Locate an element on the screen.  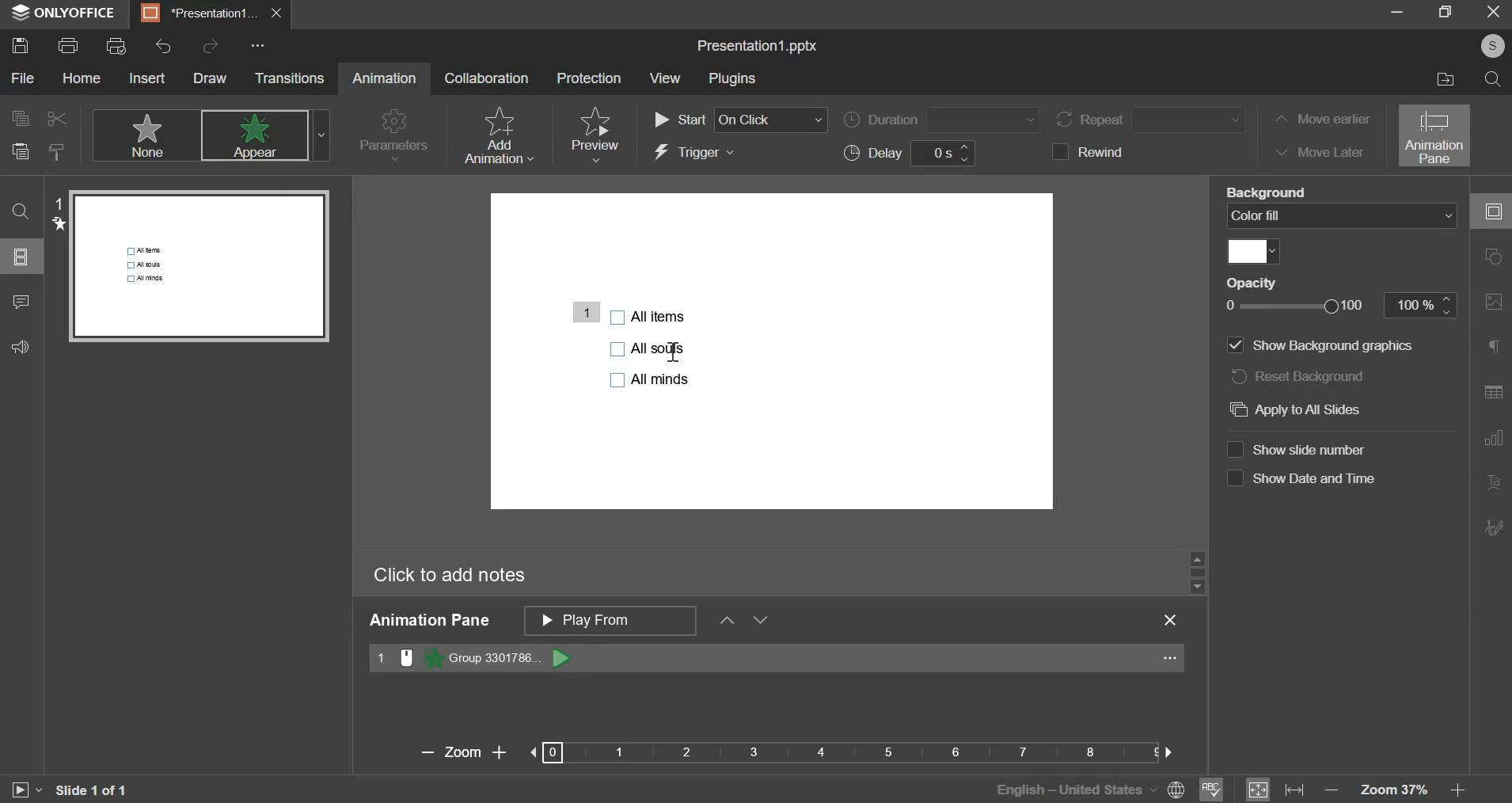
spelling is located at coordinates (1212, 787).